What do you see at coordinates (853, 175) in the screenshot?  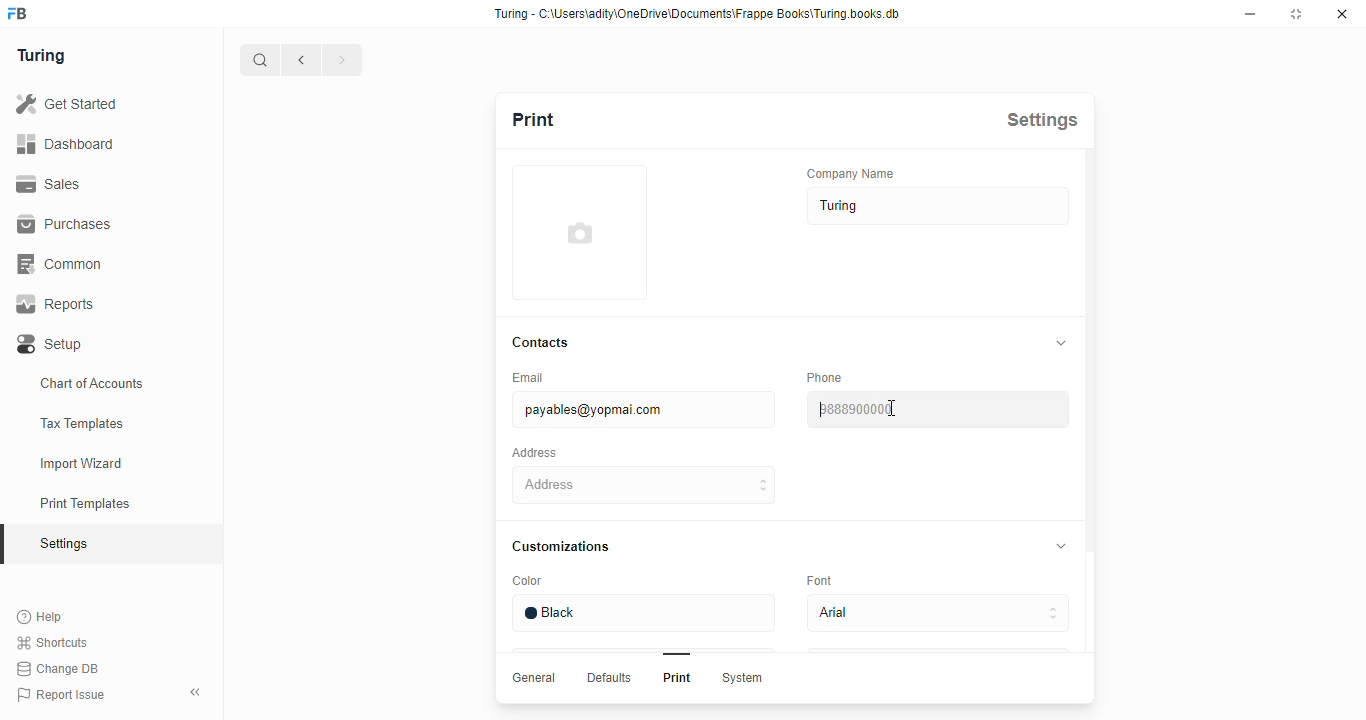 I see `‘Company Name` at bounding box center [853, 175].